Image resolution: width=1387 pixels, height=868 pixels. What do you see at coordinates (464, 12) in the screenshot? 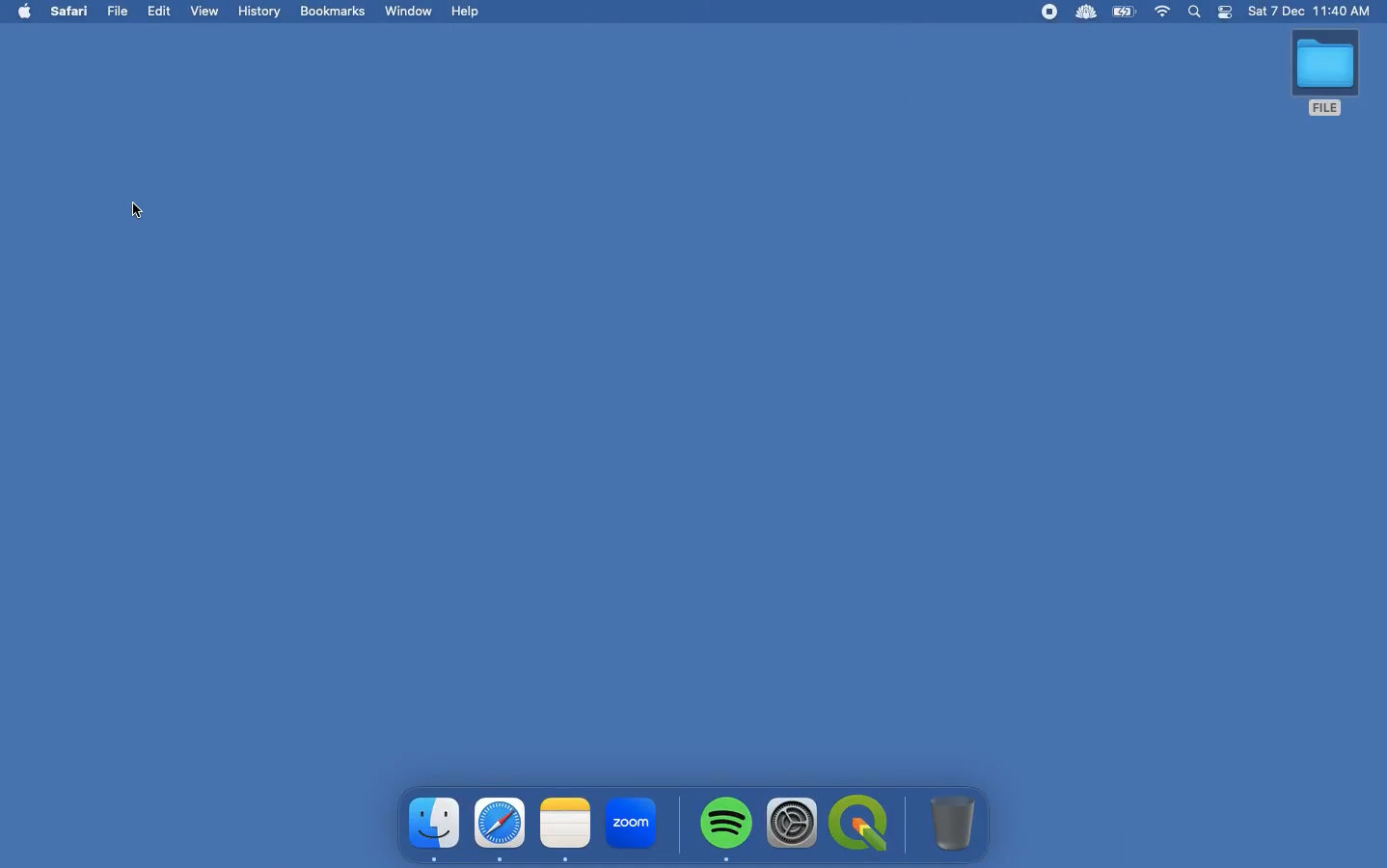
I see `Help` at bounding box center [464, 12].